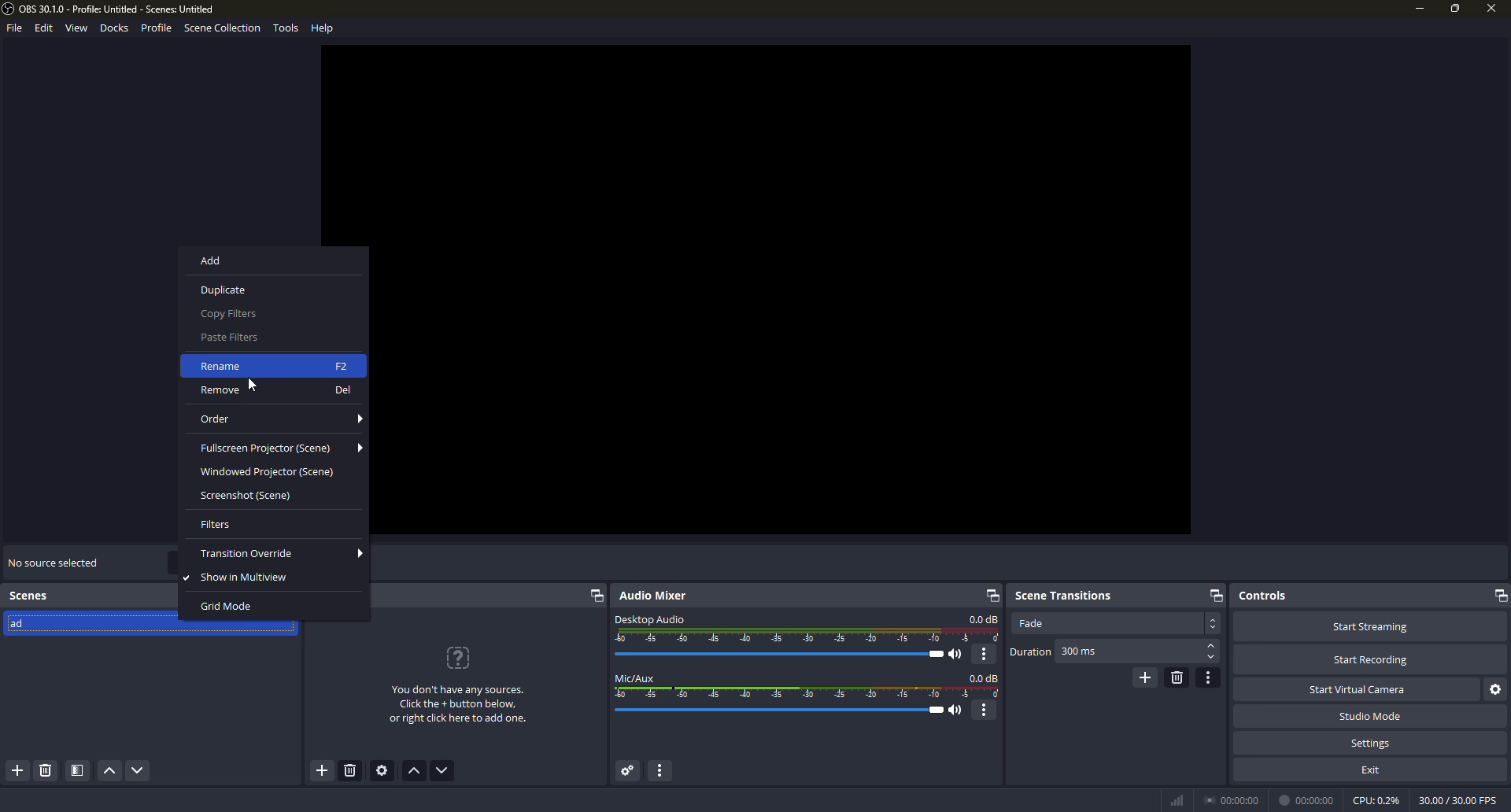 The height and width of the screenshot is (812, 1511). What do you see at coordinates (282, 555) in the screenshot?
I see `Transition Override` at bounding box center [282, 555].